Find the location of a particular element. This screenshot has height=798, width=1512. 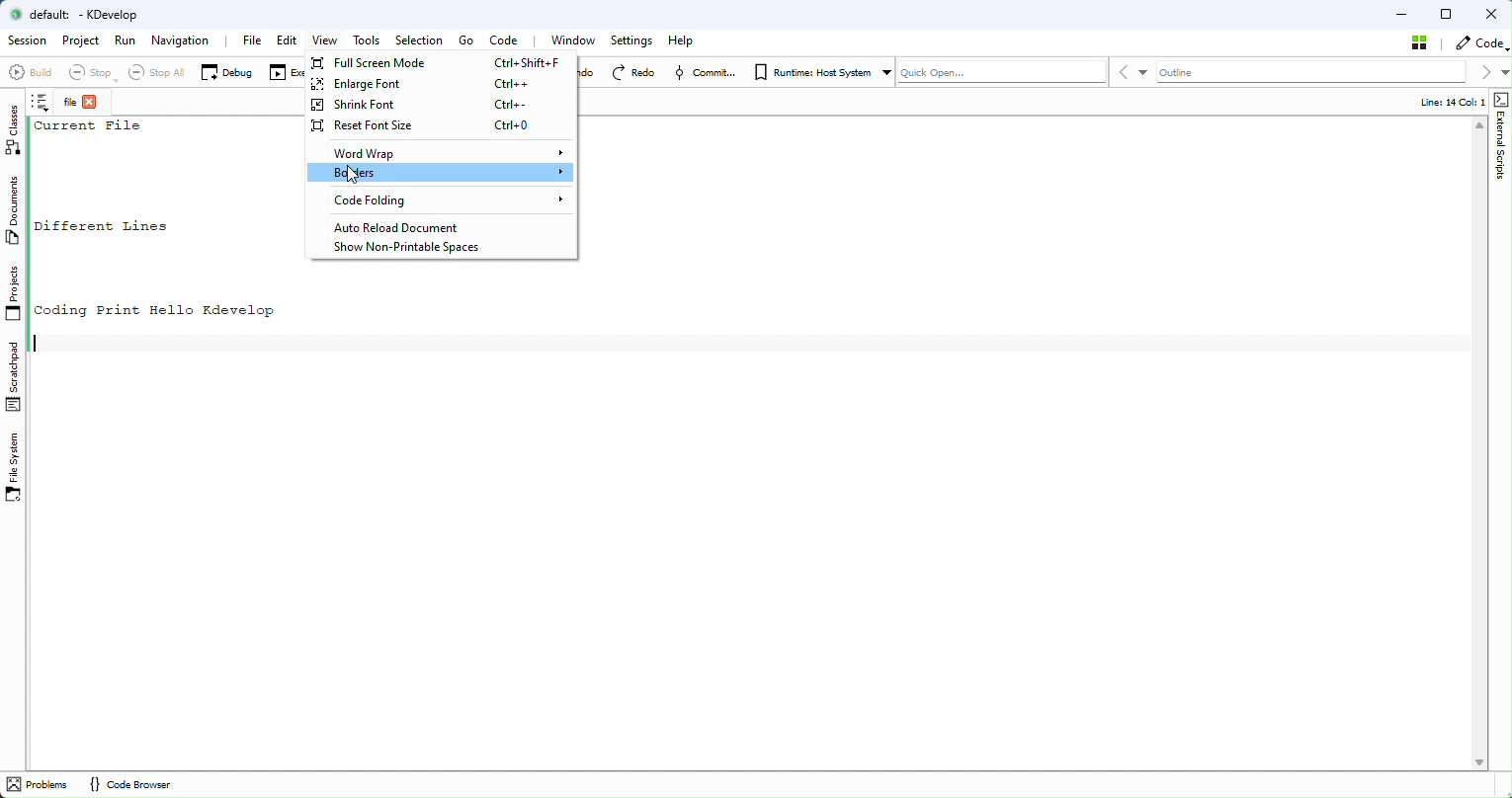

Go is located at coordinates (464, 41).